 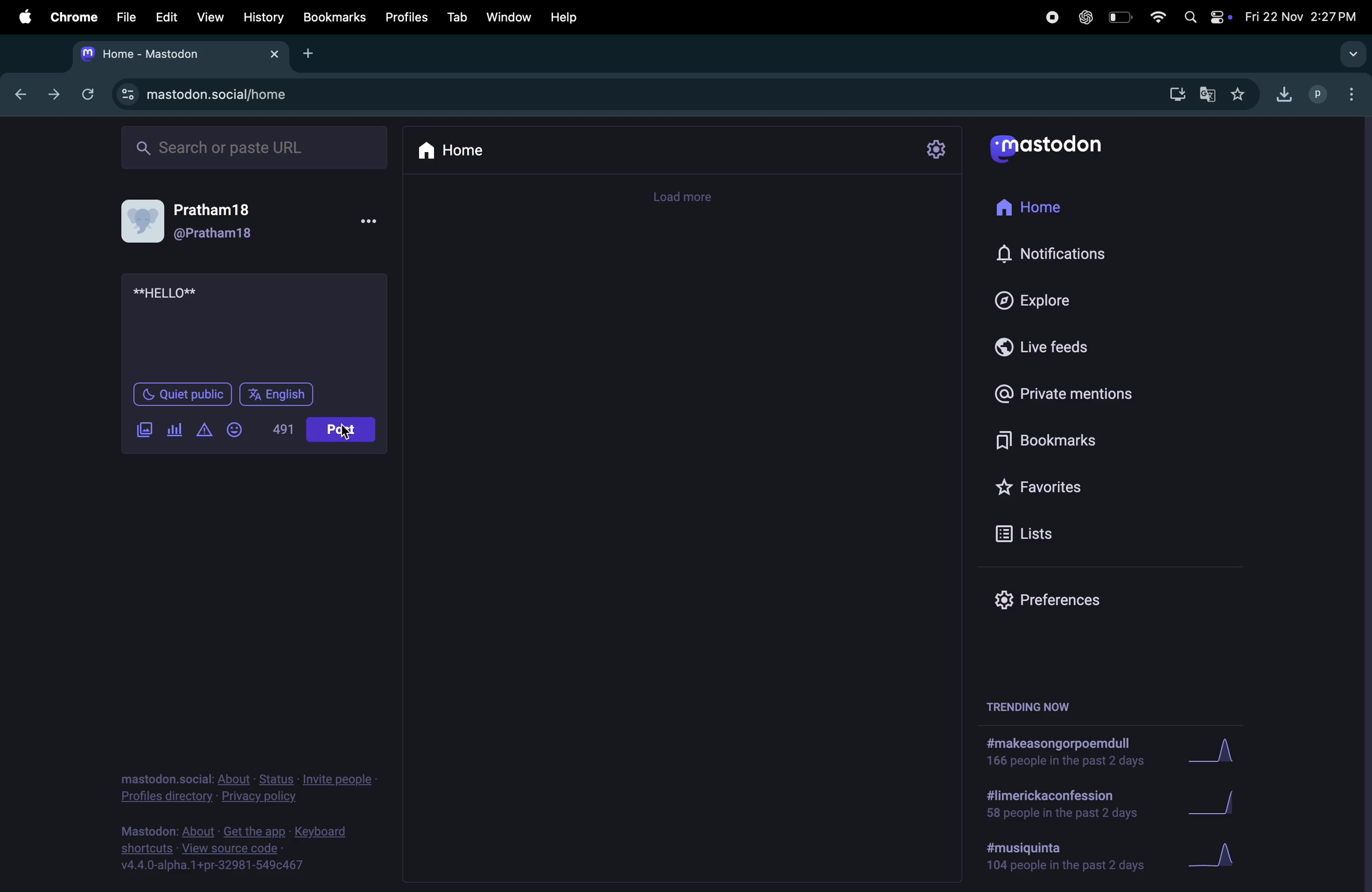 I want to click on preference, so click(x=1108, y=594).